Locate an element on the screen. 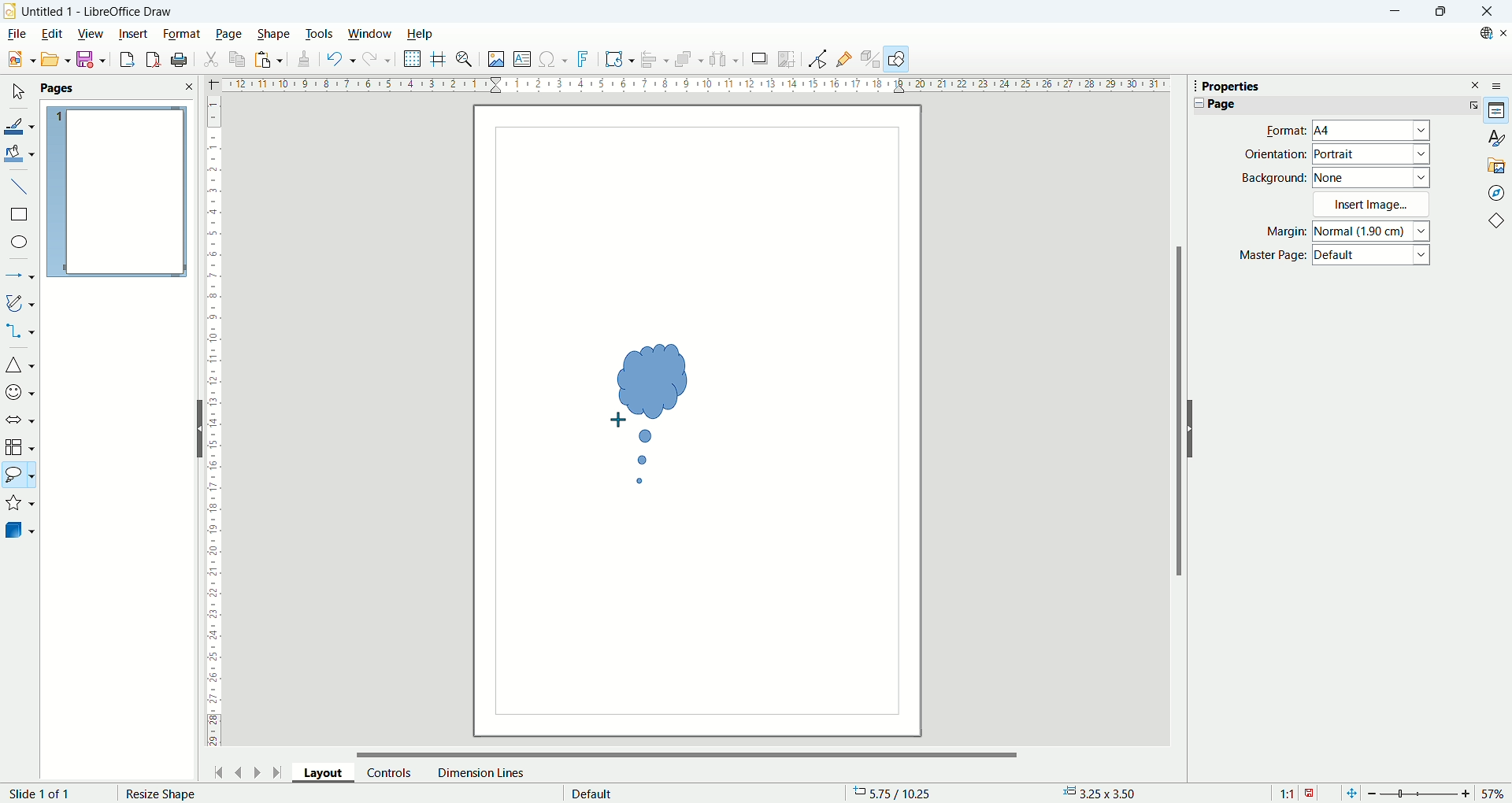 Image resolution: width=1512 pixels, height=803 pixels. Portrait is located at coordinates (1372, 154).